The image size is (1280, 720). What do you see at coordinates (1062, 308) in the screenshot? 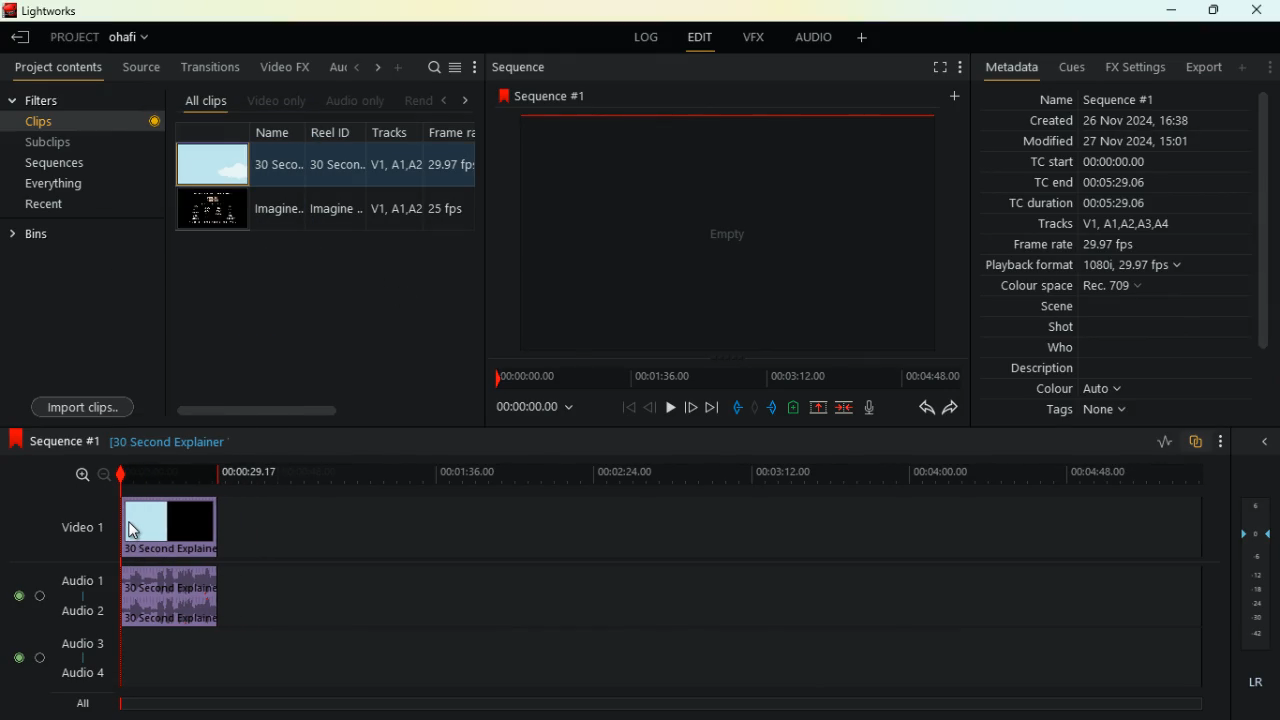
I see `scene` at bounding box center [1062, 308].